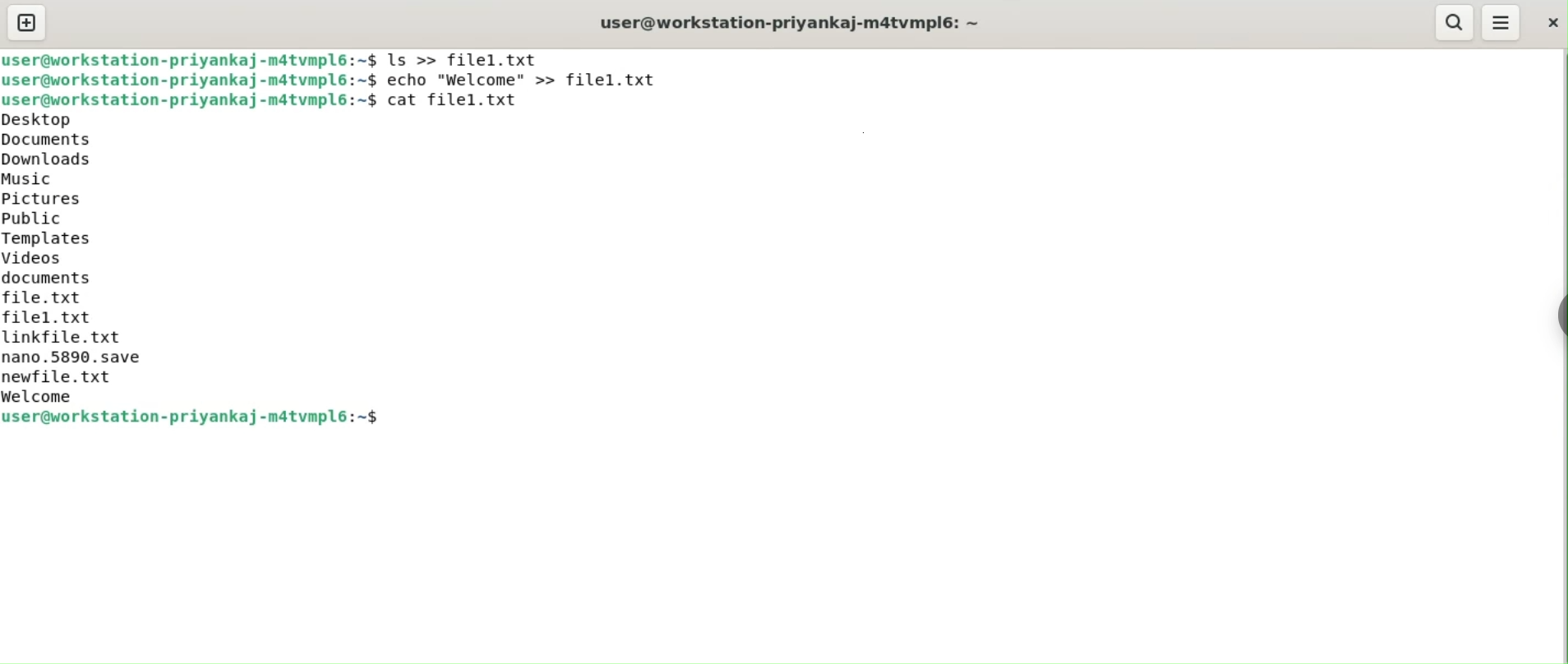  I want to click on cat  file.txt, so click(467, 103).